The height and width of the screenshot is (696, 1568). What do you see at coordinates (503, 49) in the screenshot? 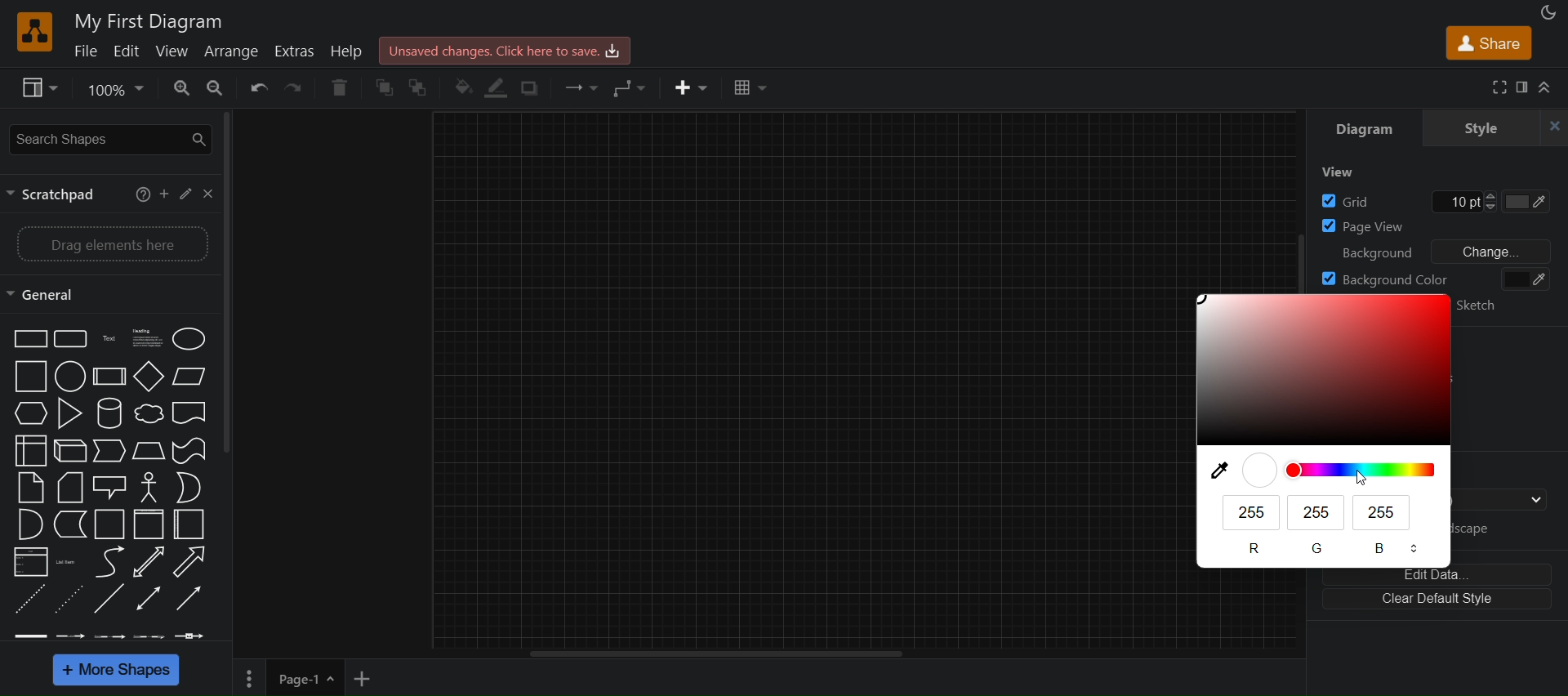
I see `click here to save` at bounding box center [503, 49].